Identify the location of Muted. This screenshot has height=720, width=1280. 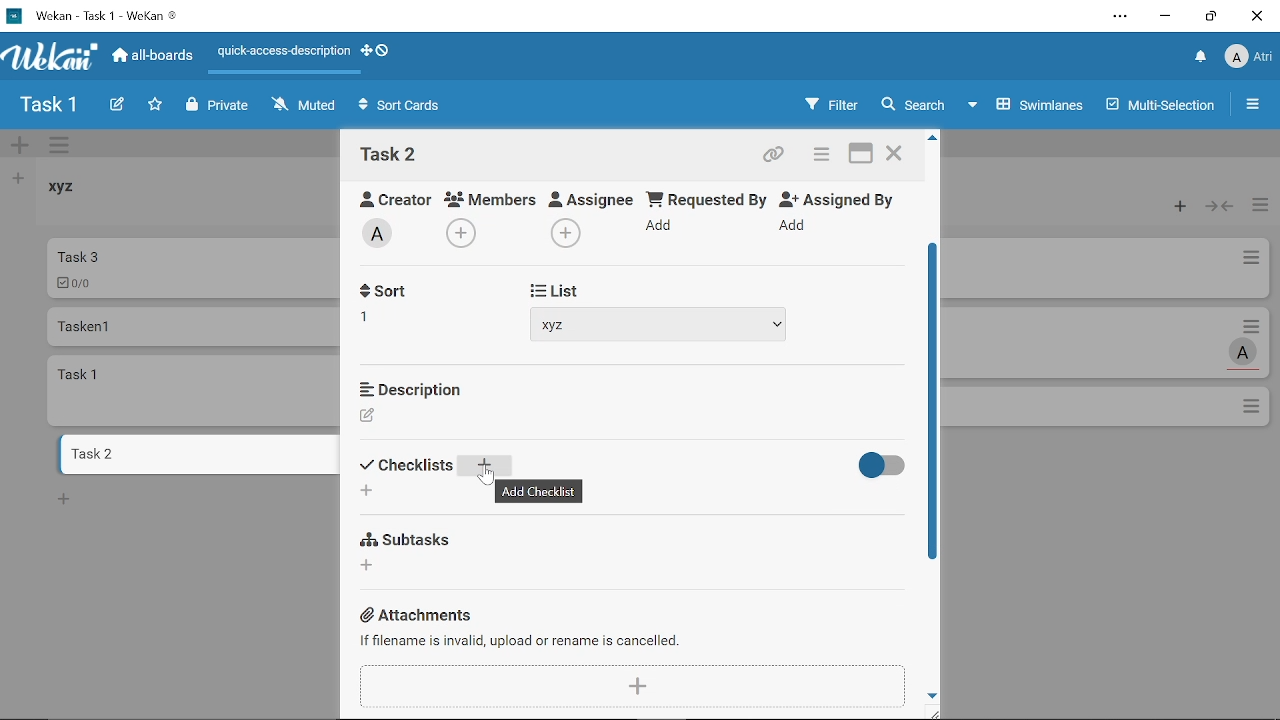
(305, 104).